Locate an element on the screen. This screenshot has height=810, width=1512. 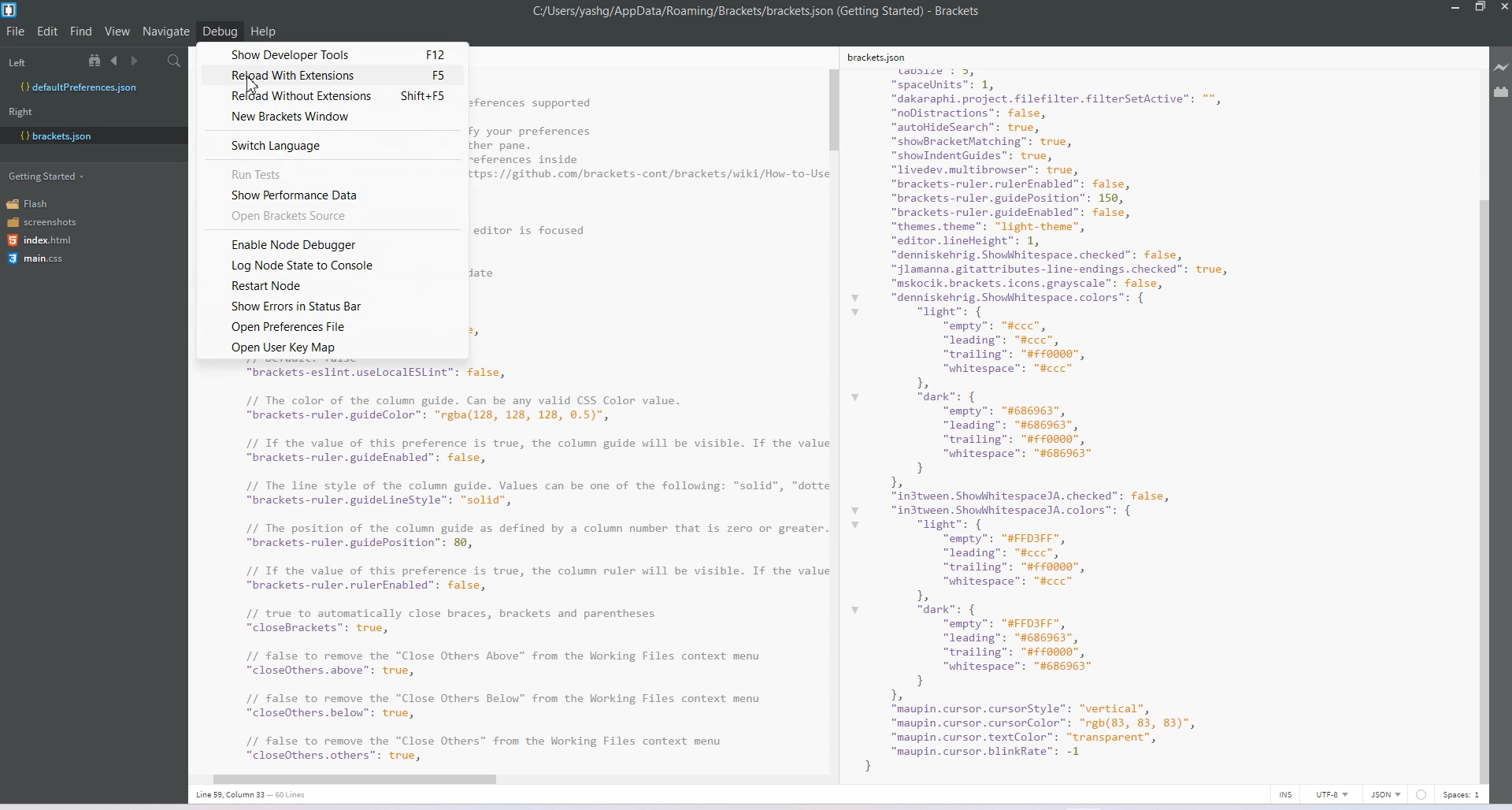
Right is located at coordinates (20, 112).